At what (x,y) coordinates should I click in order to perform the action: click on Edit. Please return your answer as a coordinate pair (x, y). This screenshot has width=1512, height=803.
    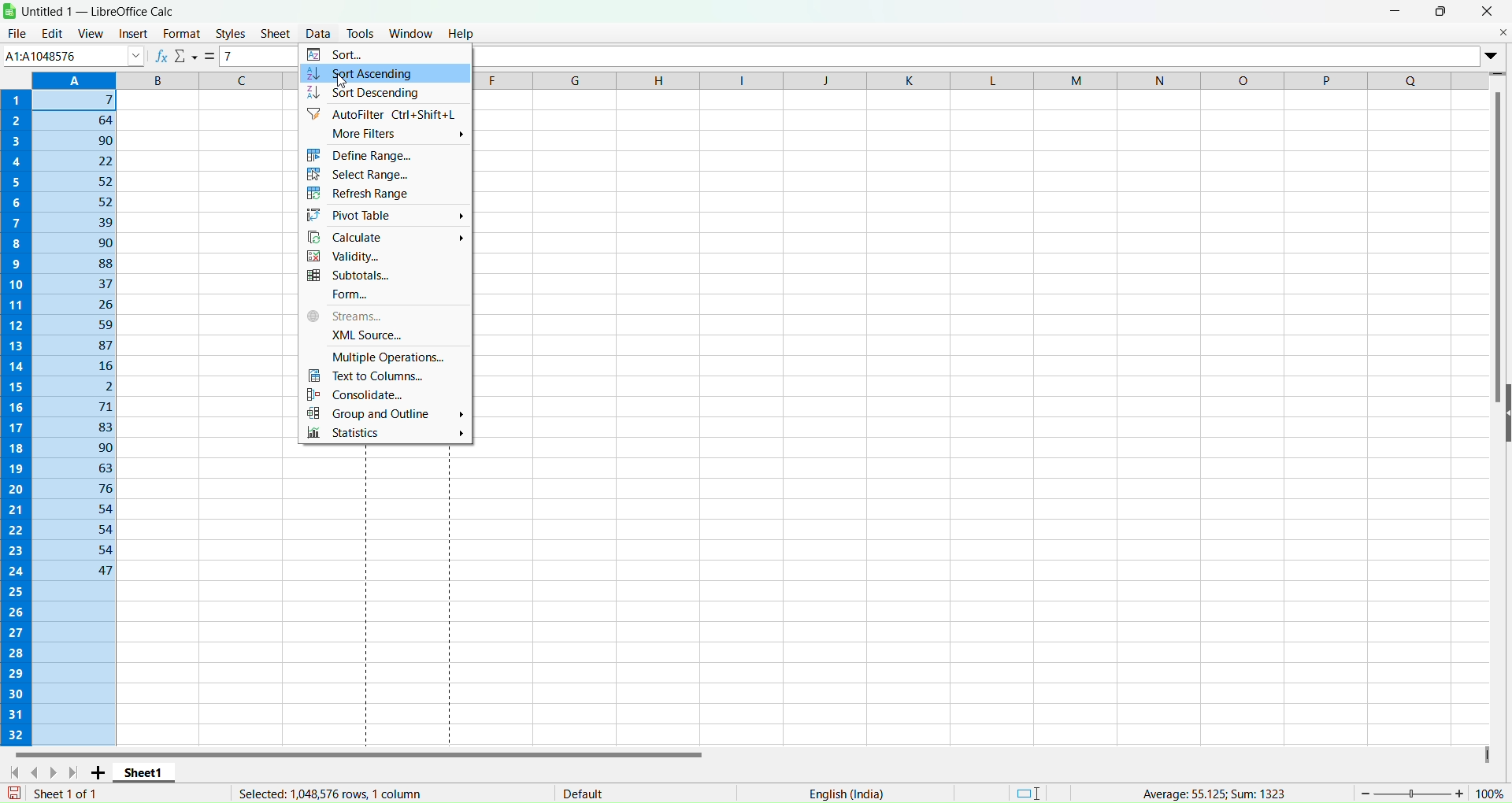
    Looking at the image, I should click on (51, 33).